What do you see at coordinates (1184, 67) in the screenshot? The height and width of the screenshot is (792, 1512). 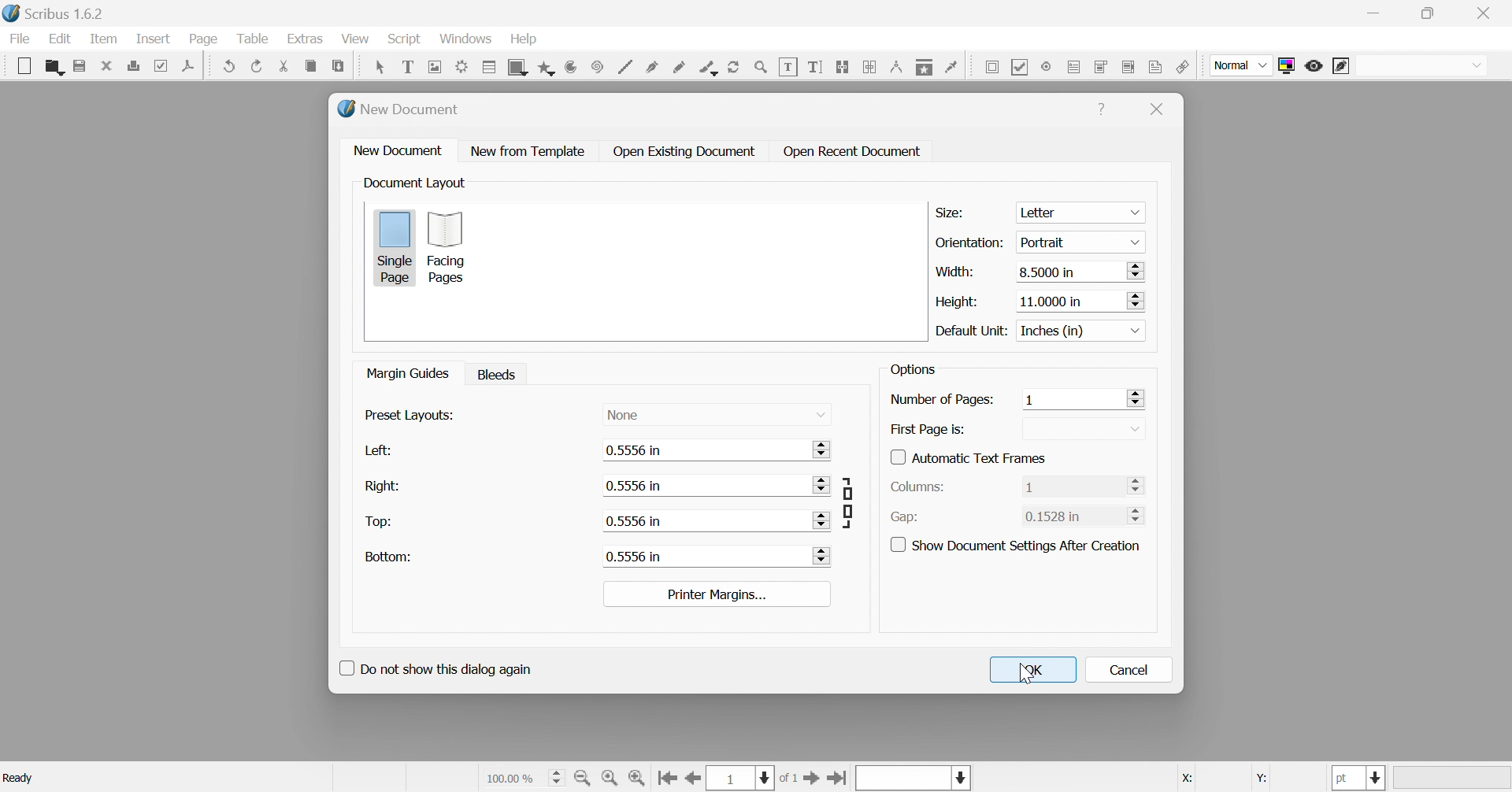 I see `link annotation` at bounding box center [1184, 67].